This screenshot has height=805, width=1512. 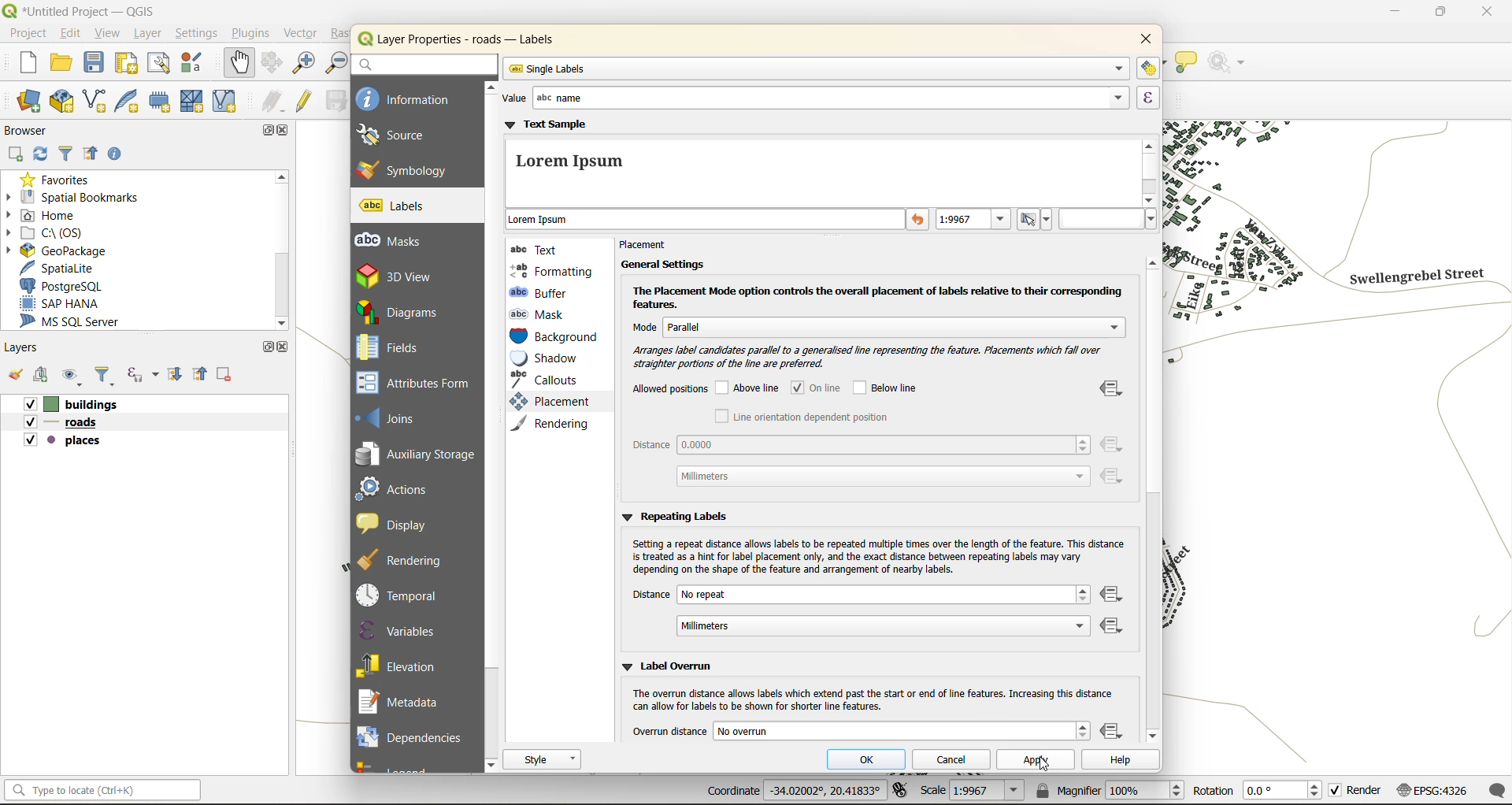 What do you see at coordinates (402, 135) in the screenshot?
I see `source` at bounding box center [402, 135].